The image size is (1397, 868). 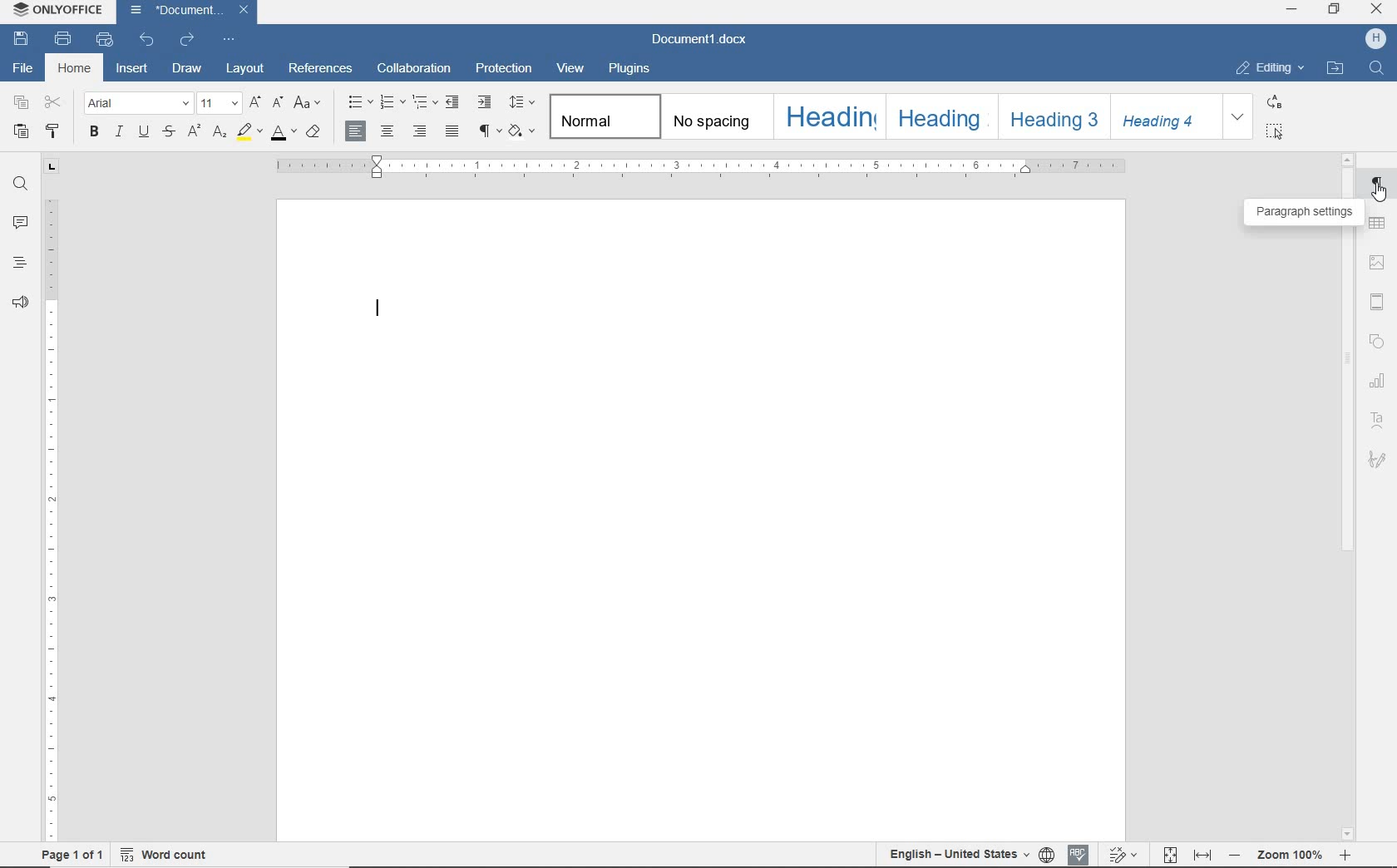 What do you see at coordinates (188, 40) in the screenshot?
I see `redo` at bounding box center [188, 40].